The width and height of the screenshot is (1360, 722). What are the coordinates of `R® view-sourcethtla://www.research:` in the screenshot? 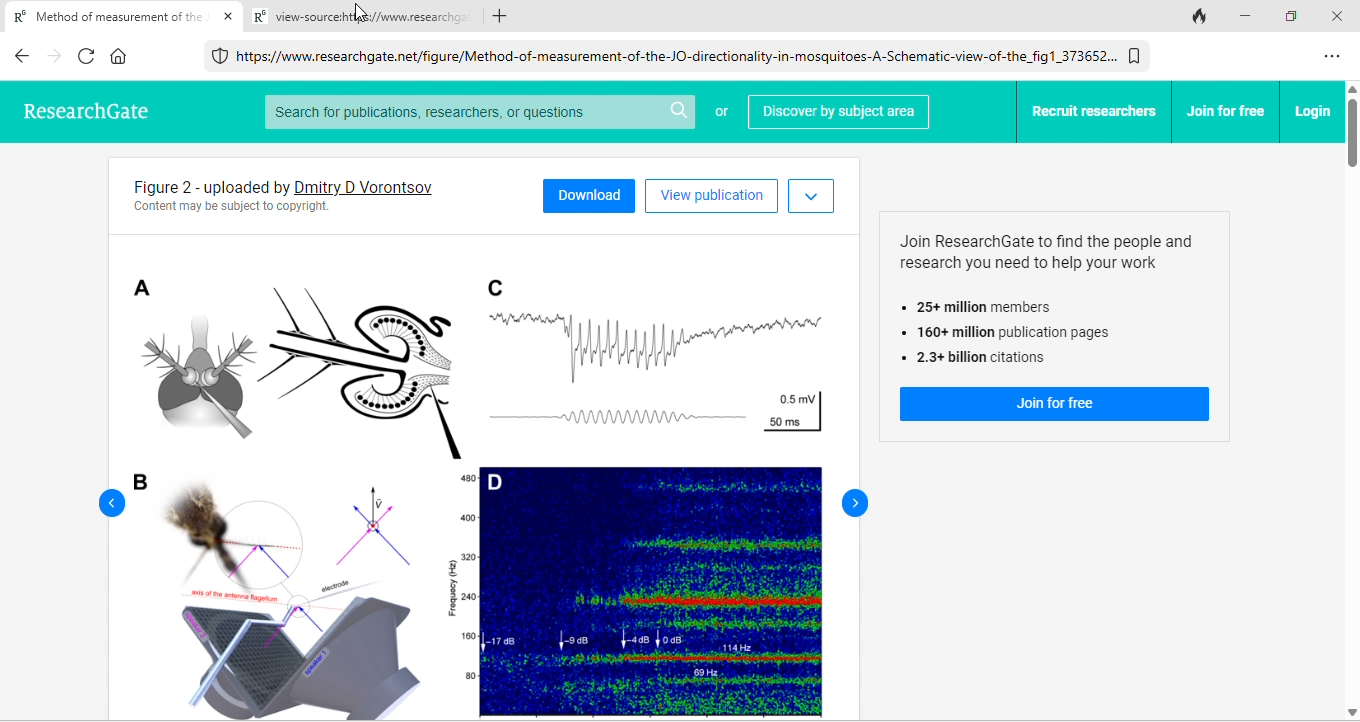 It's located at (353, 19).